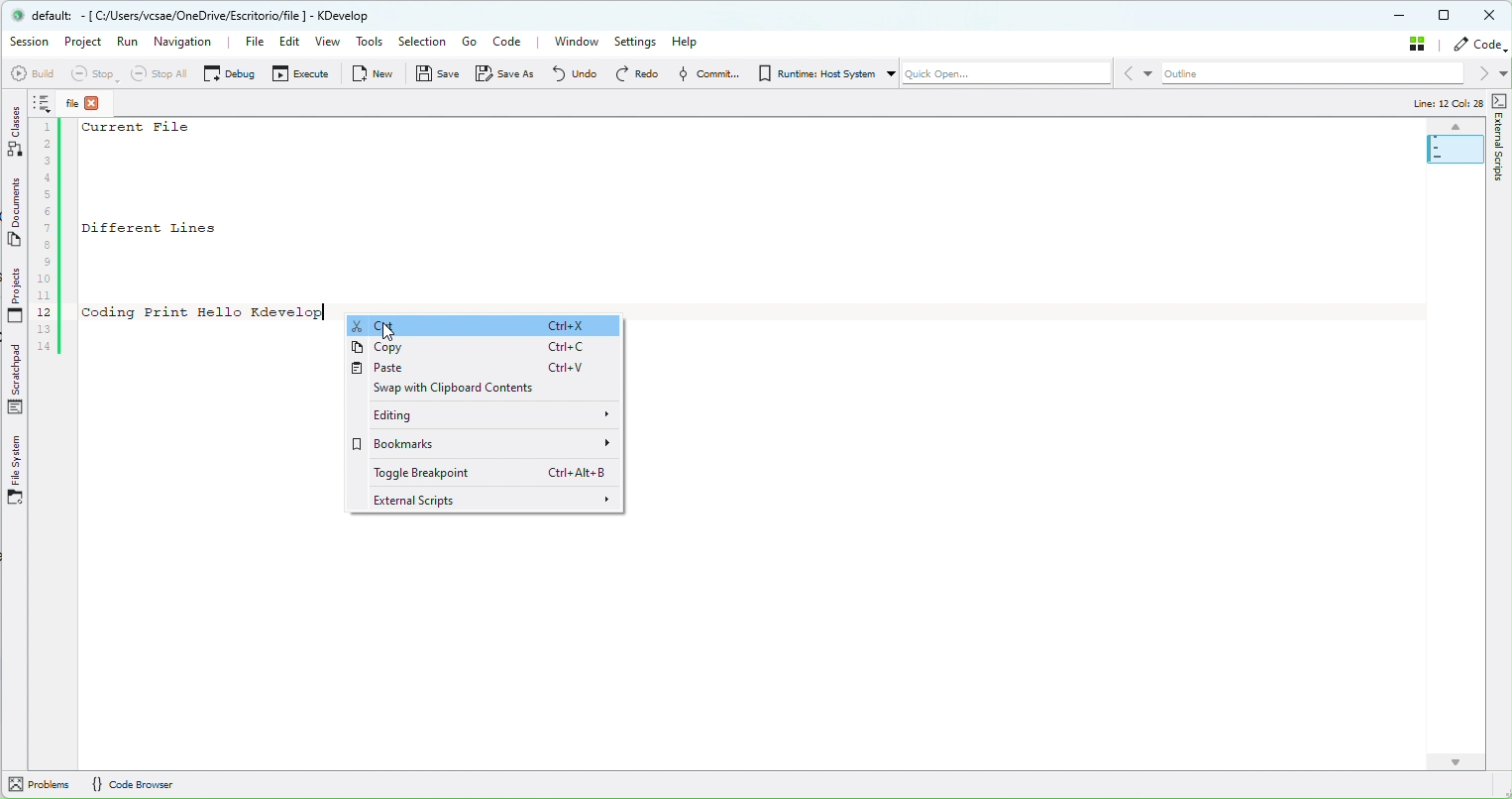 The image size is (1512, 799). What do you see at coordinates (371, 41) in the screenshot?
I see `Tools` at bounding box center [371, 41].